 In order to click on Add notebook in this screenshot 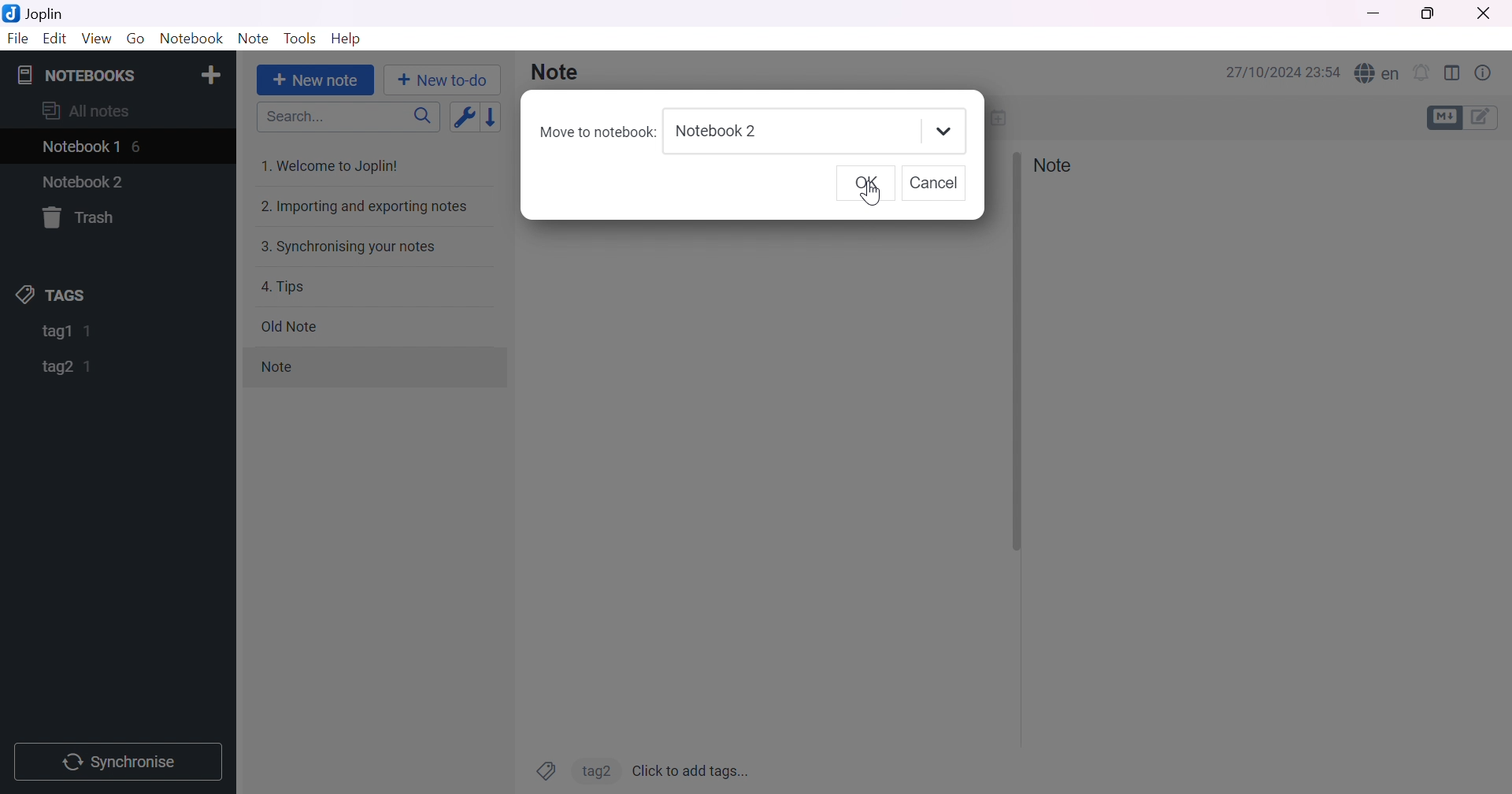, I will do `click(212, 74)`.